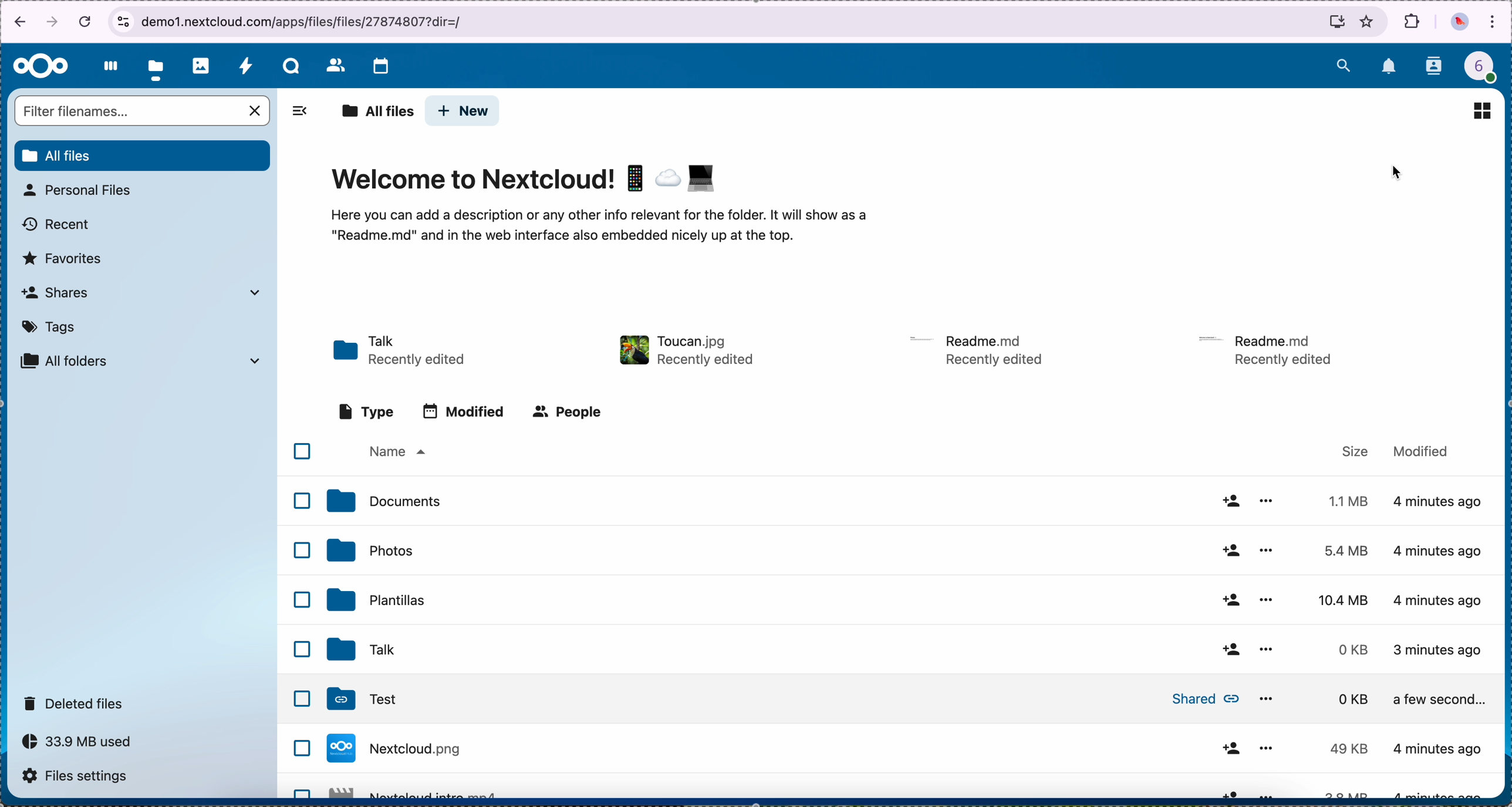 This screenshot has width=1512, height=807. Describe the element at coordinates (415, 752) in the screenshot. I see `Nextcloud file` at that location.